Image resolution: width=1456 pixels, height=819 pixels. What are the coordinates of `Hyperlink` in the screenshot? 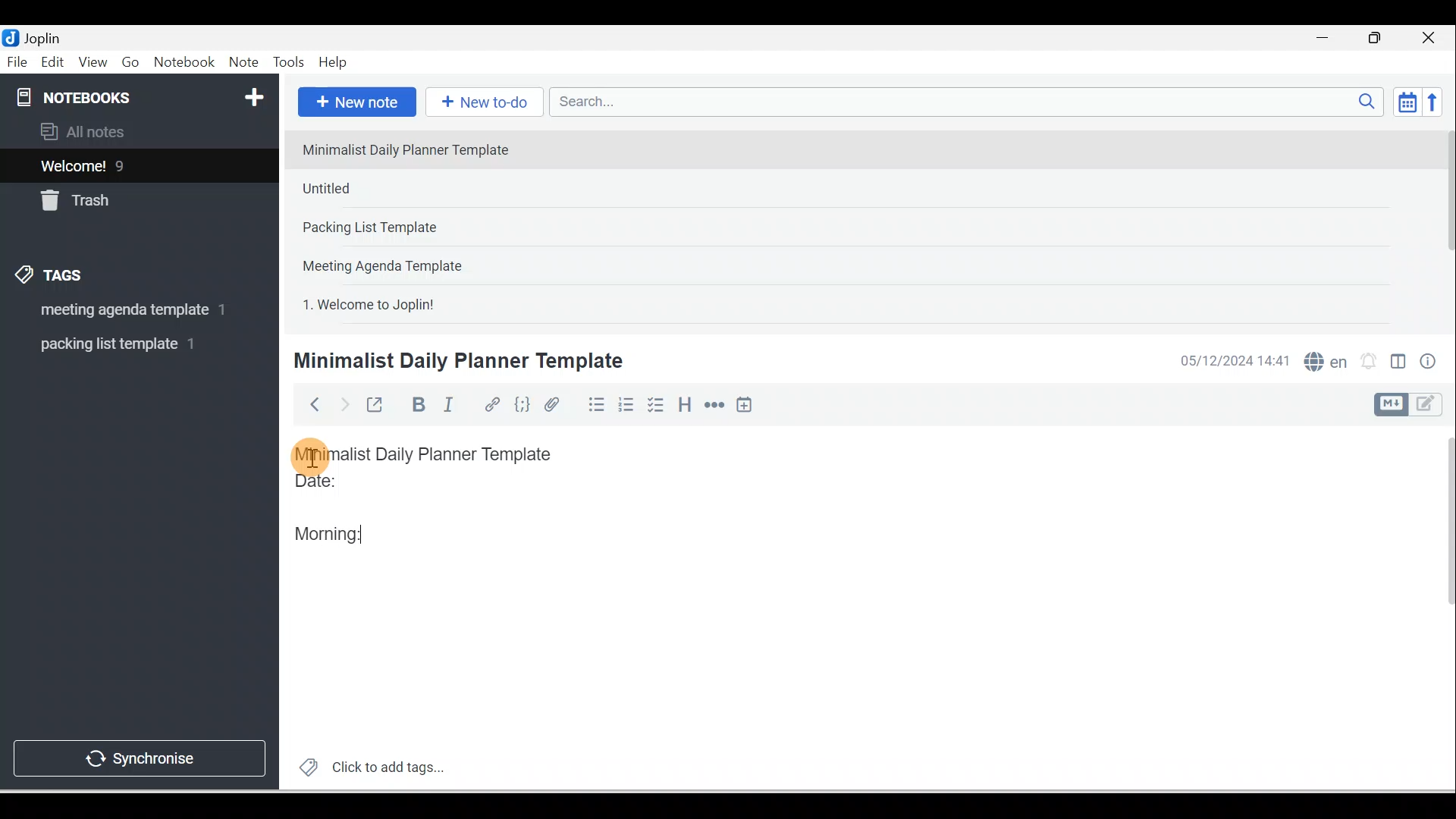 It's located at (491, 406).